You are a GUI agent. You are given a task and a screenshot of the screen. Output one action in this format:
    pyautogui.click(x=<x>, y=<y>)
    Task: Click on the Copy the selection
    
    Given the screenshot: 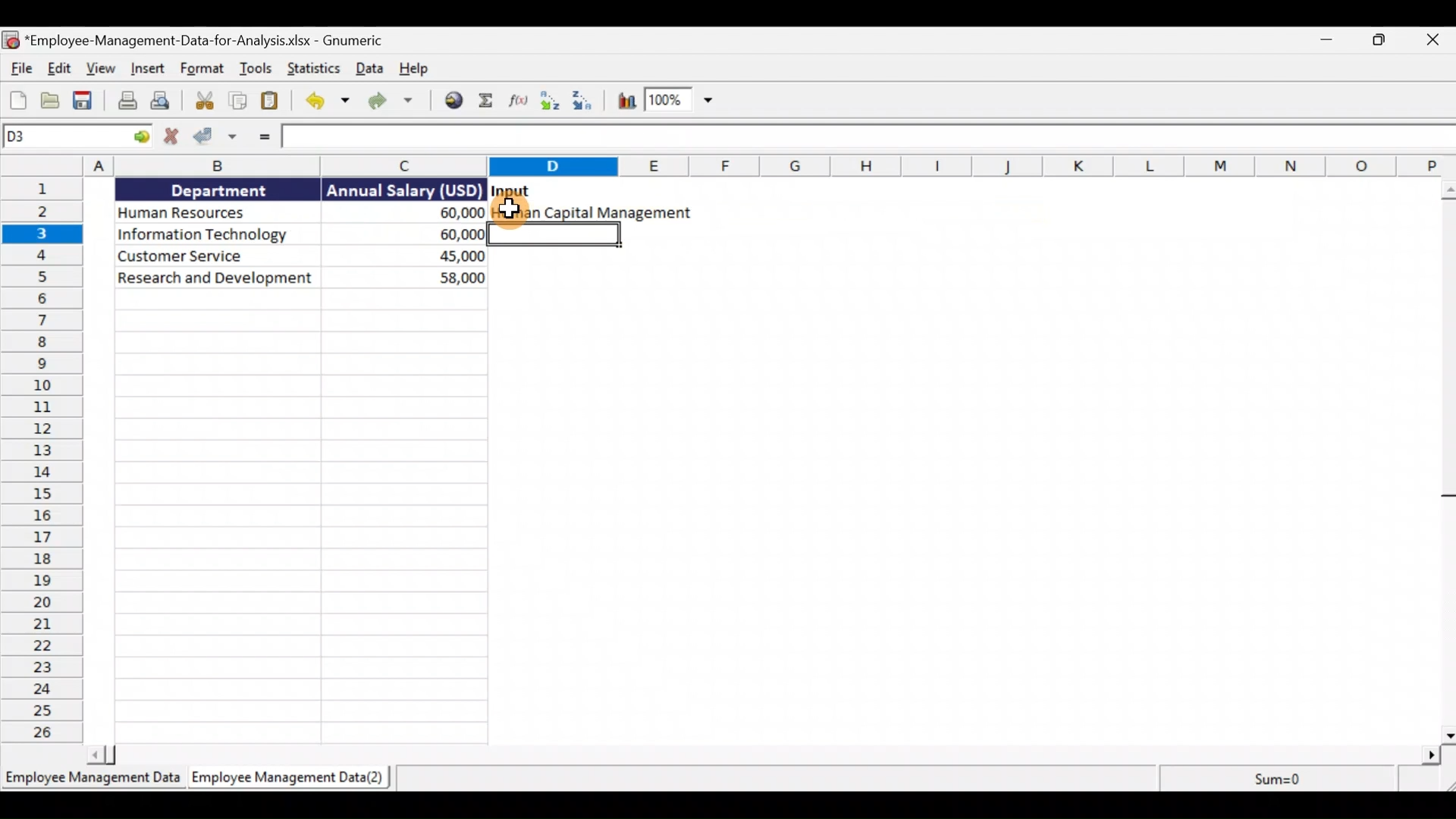 What is the action you would take?
    pyautogui.click(x=239, y=100)
    